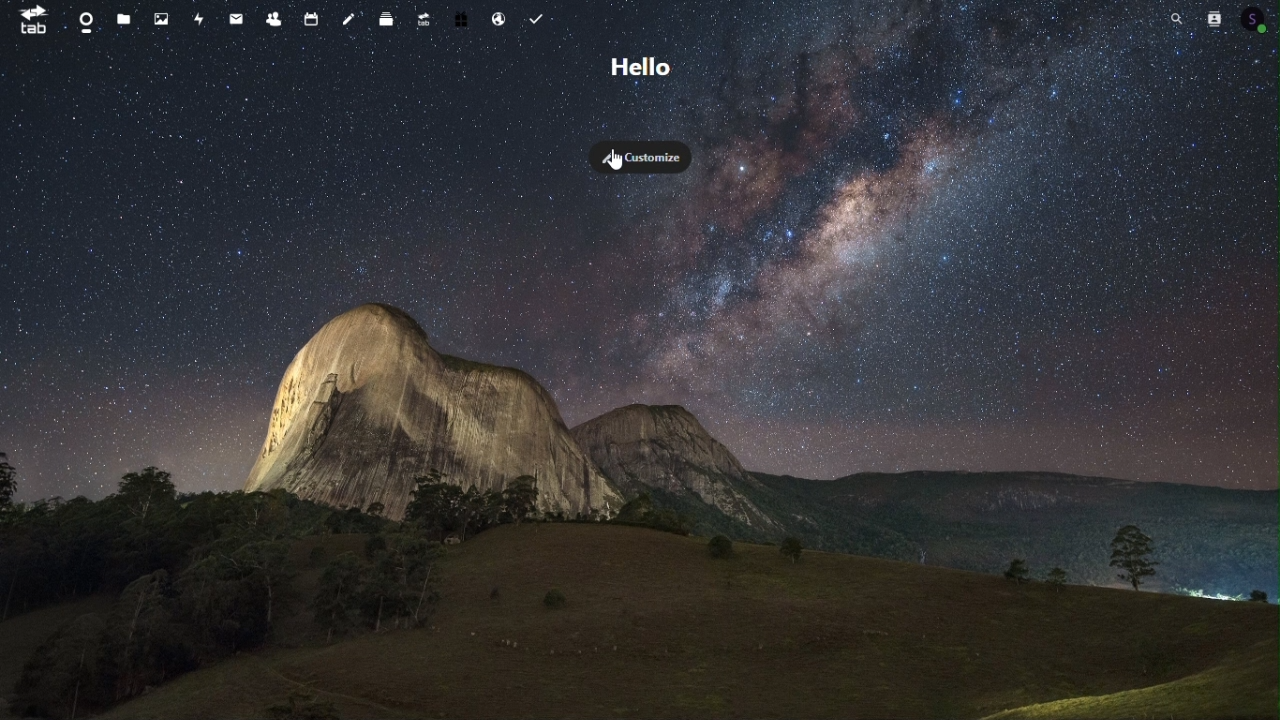 Image resolution: width=1280 pixels, height=720 pixels. What do you see at coordinates (308, 18) in the screenshot?
I see `Calendar` at bounding box center [308, 18].